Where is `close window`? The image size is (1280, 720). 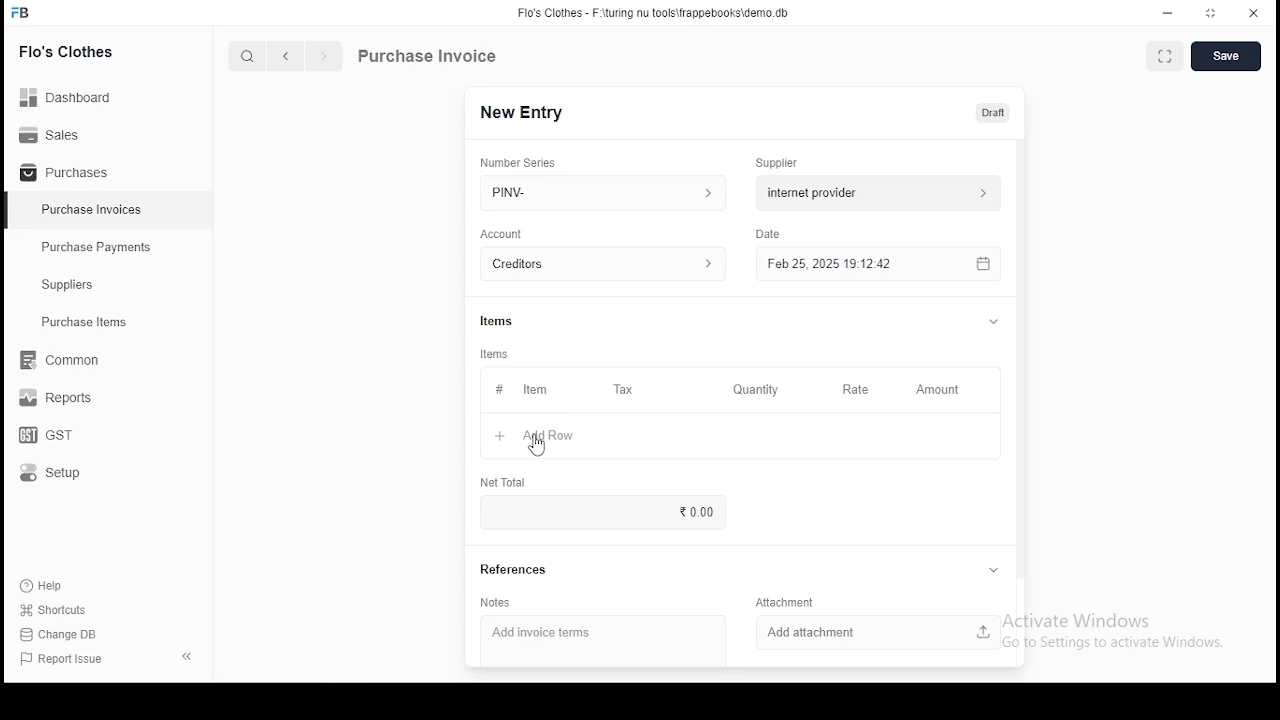 close window is located at coordinates (1254, 11).